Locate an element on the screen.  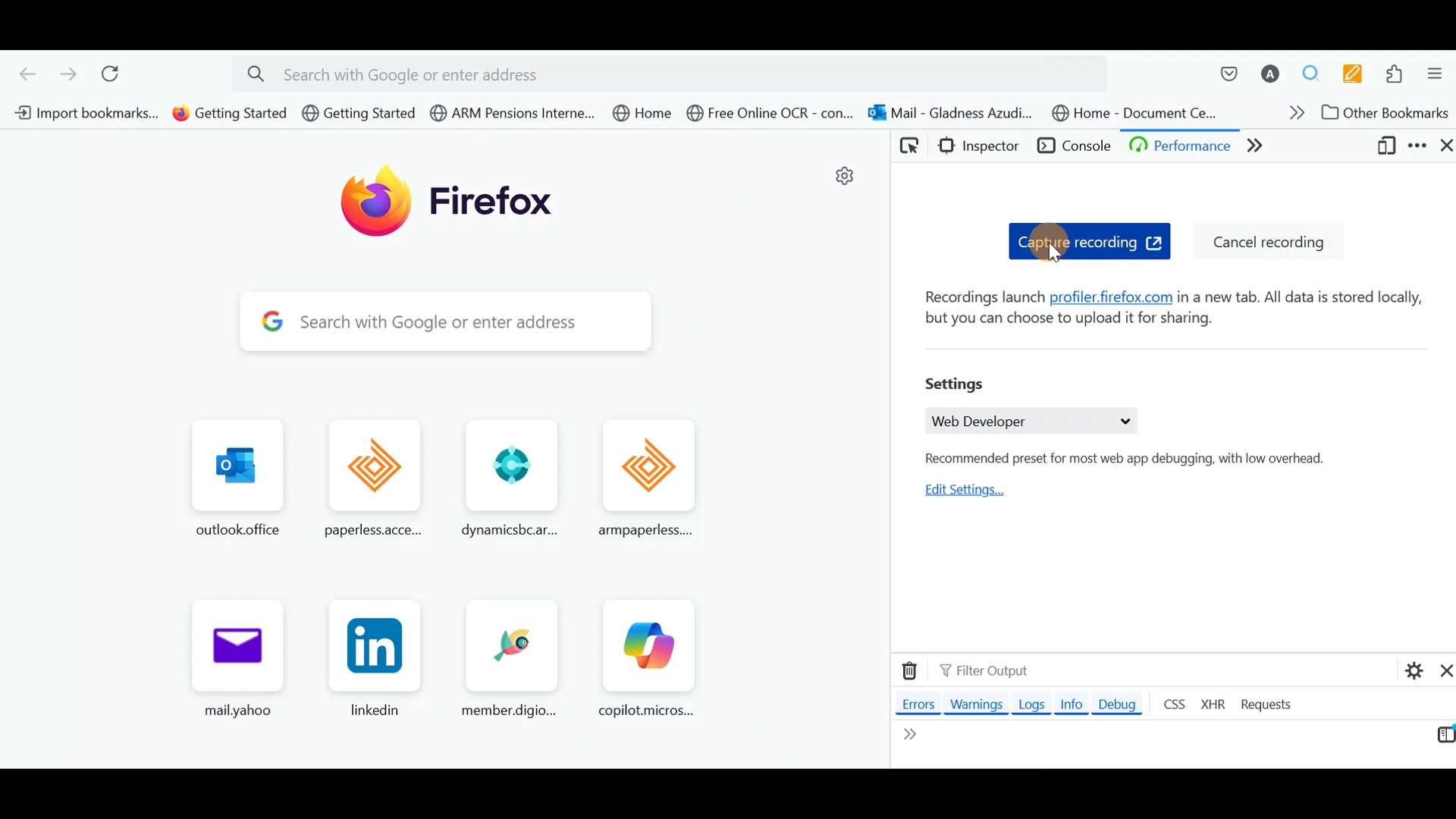
Warnings is located at coordinates (979, 706).